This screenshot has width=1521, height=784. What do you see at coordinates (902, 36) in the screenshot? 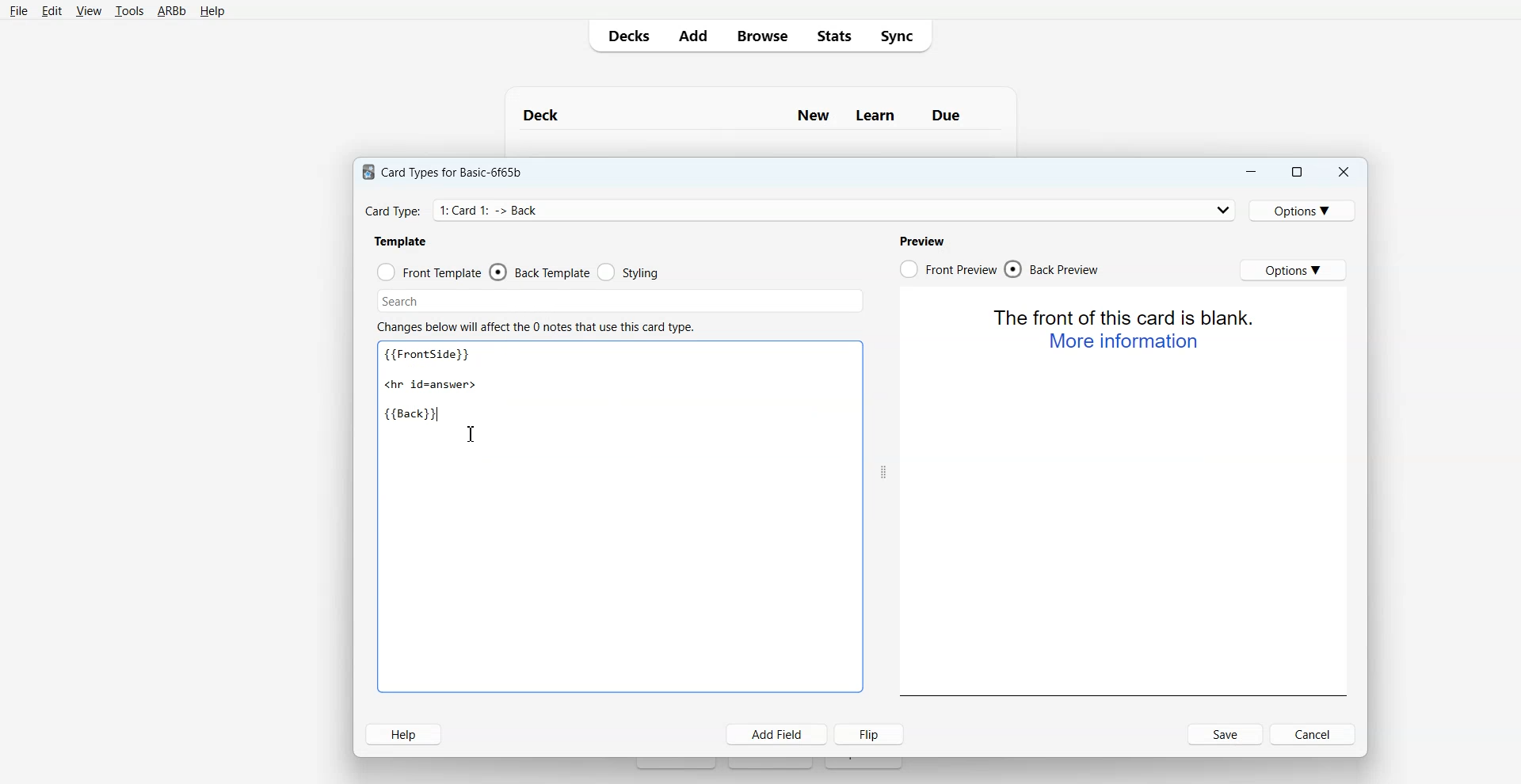
I see `Sync` at bounding box center [902, 36].